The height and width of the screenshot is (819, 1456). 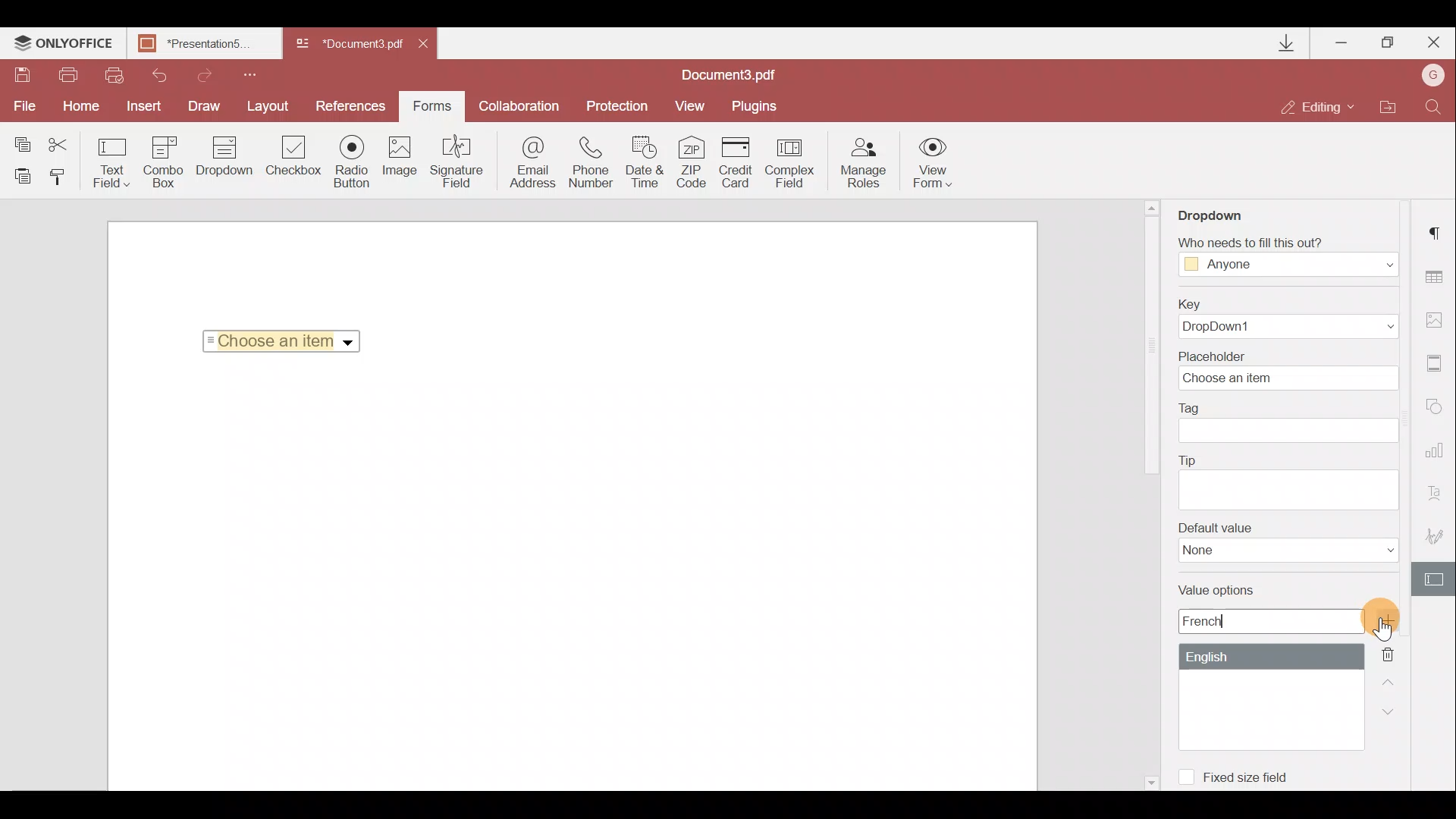 What do you see at coordinates (453, 161) in the screenshot?
I see `Signature field` at bounding box center [453, 161].